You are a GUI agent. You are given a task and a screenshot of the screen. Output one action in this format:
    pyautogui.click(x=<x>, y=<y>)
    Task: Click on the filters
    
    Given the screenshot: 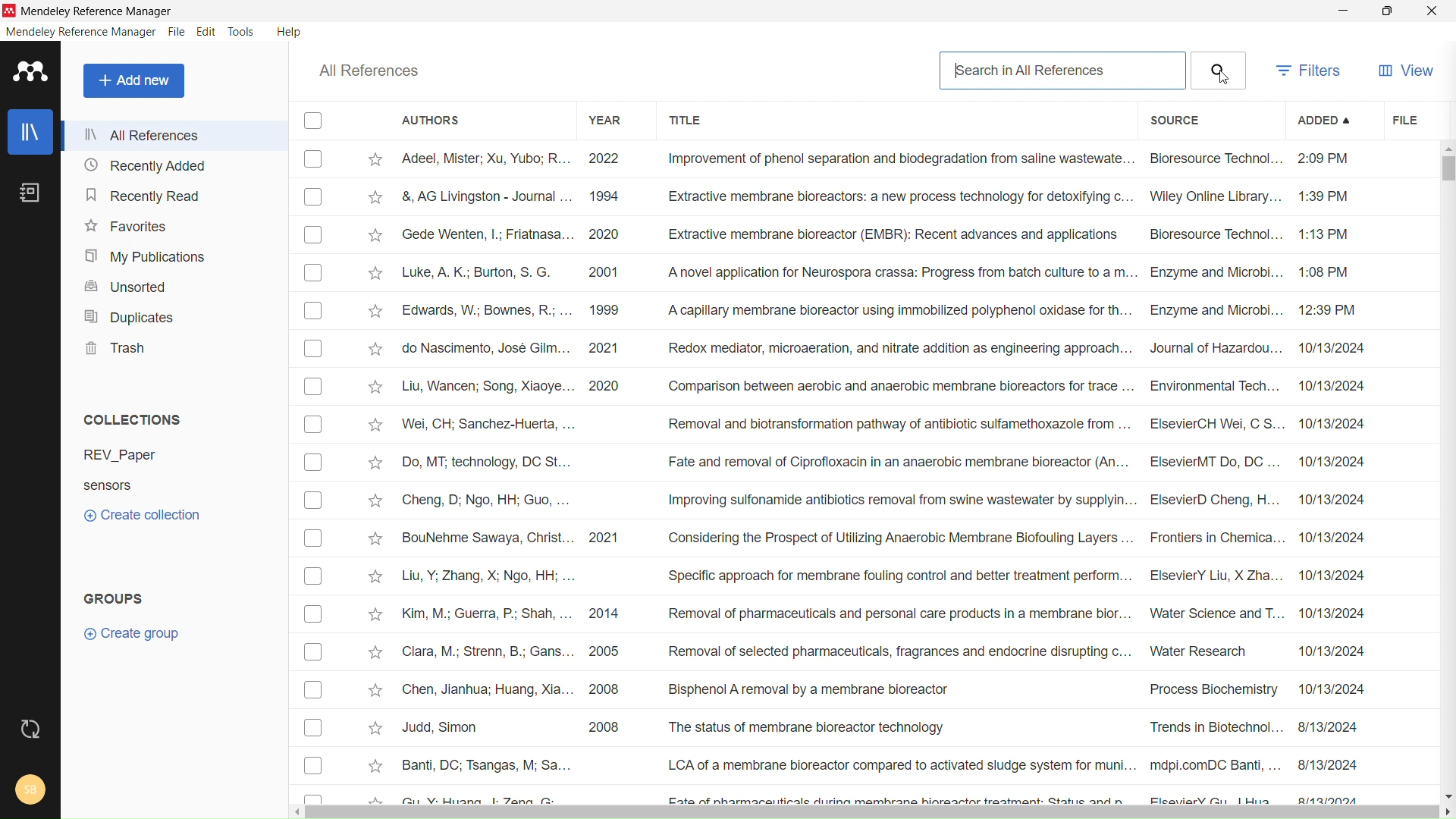 What is the action you would take?
    pyautogui.click(x=1313, y=68)
    